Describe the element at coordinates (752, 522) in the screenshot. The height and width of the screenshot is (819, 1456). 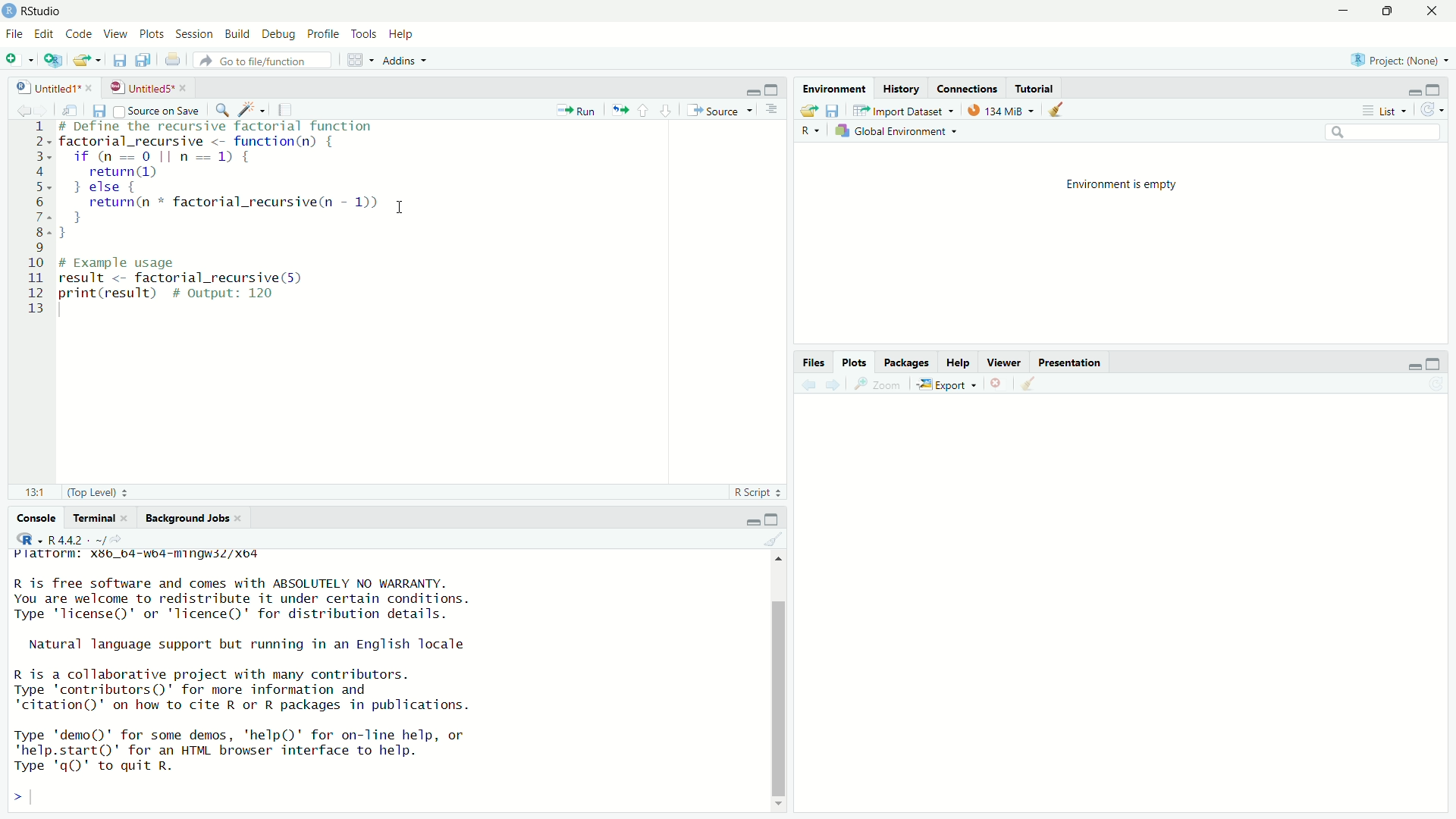
I see `Minimize` at that location.